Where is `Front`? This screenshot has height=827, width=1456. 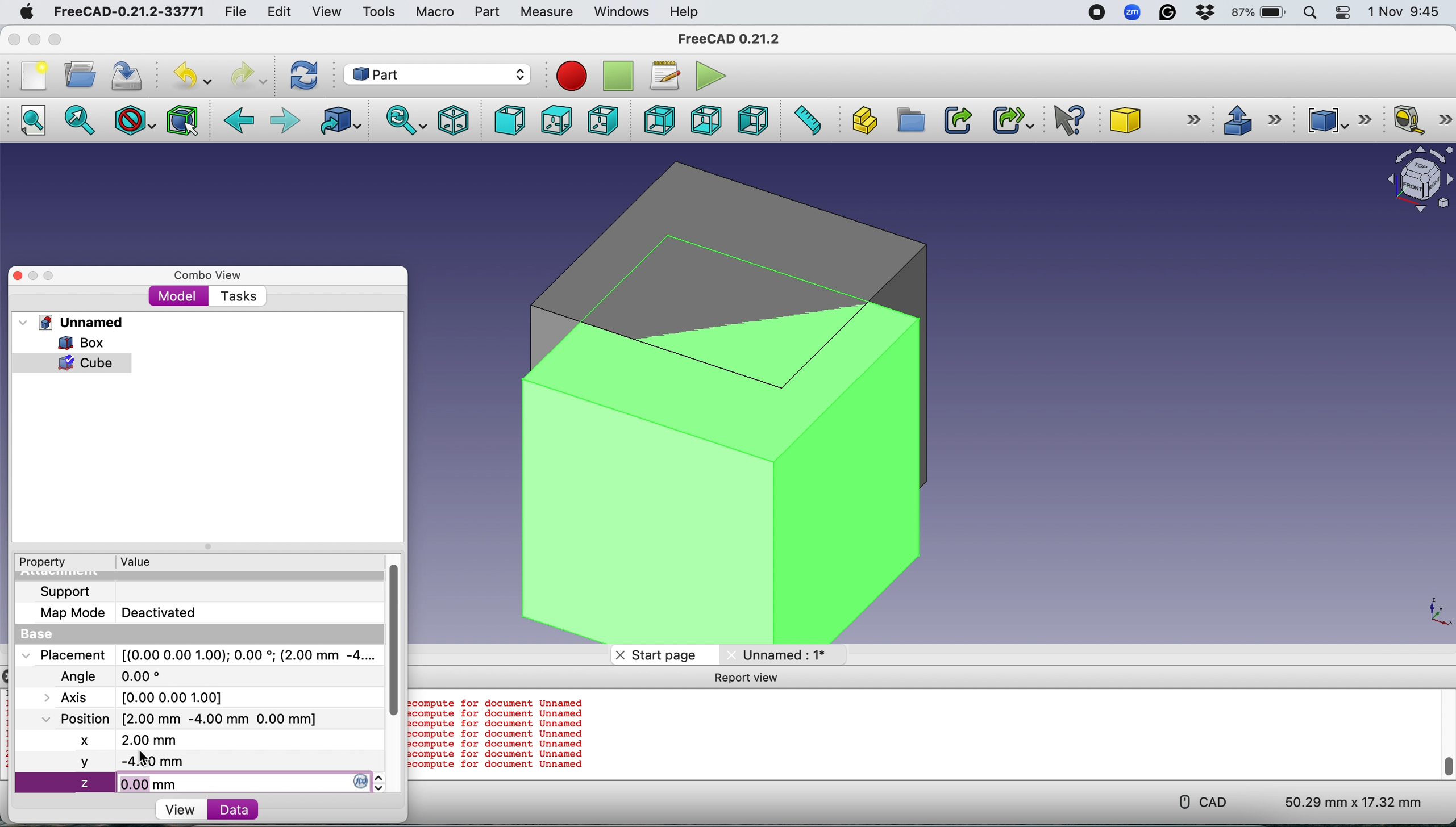 Front is located at coordinates (506, 120).